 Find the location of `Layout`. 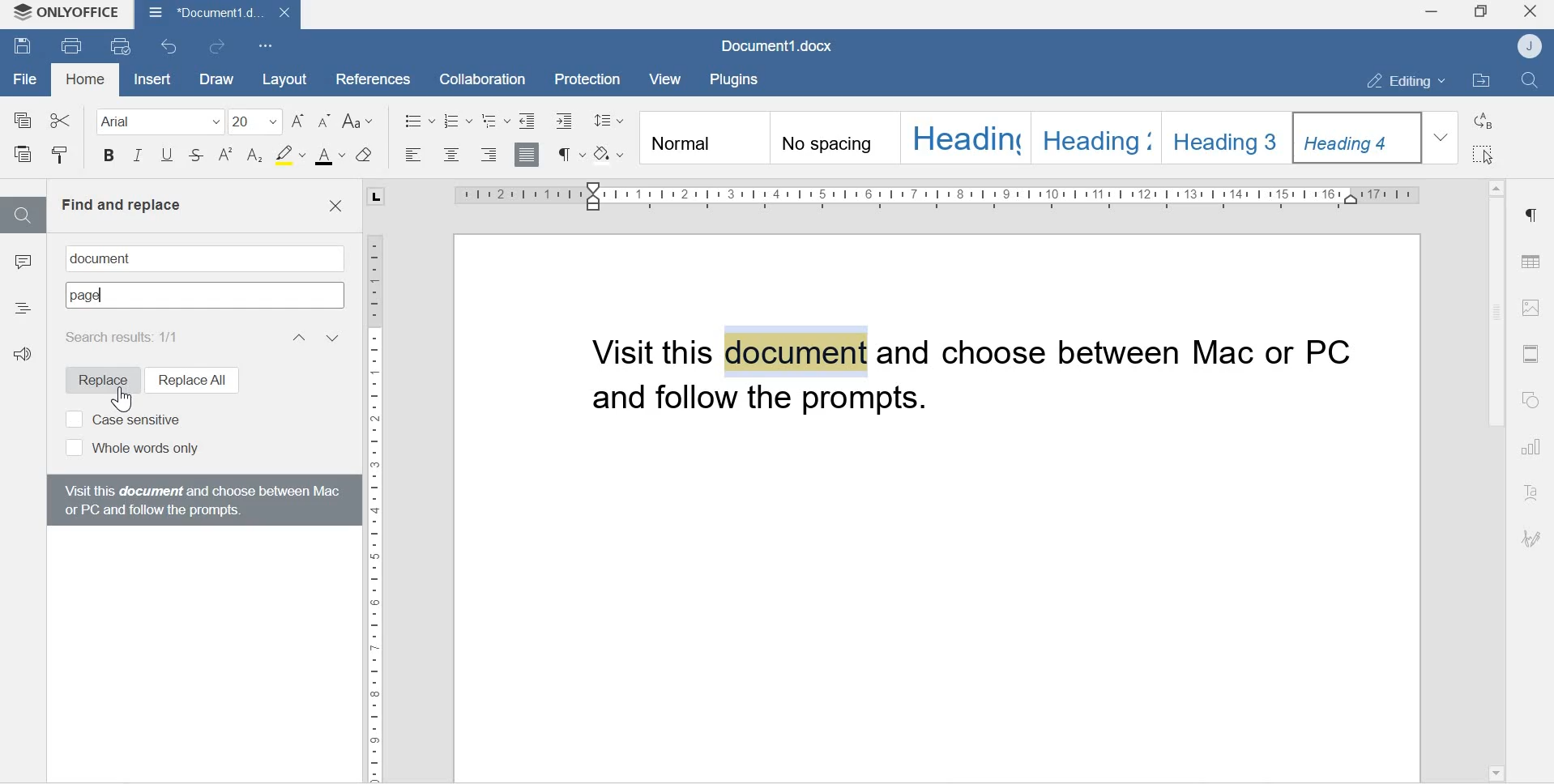

Layout is located at coordinates (283, 79).